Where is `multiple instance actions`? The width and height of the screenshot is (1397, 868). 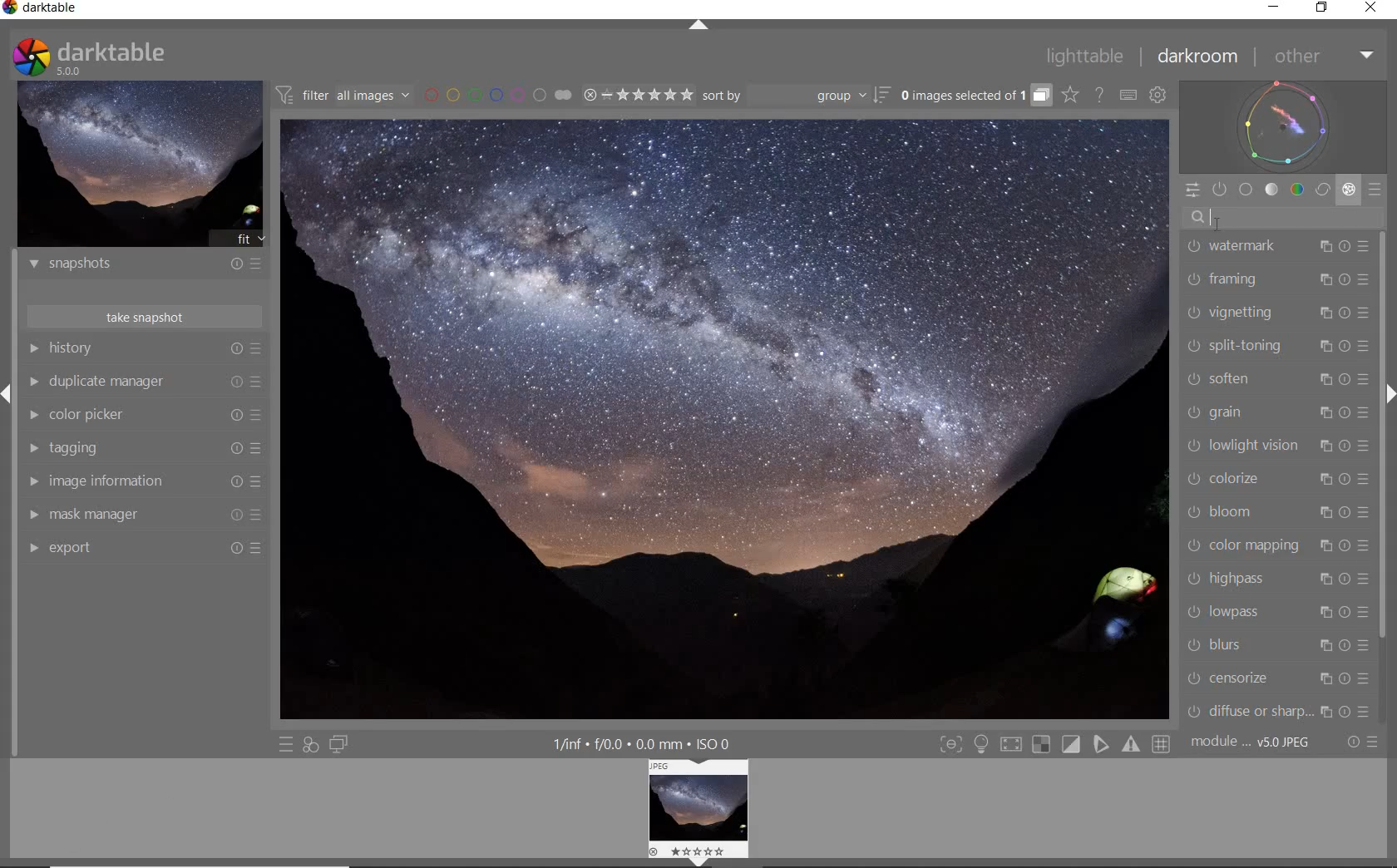
multiple instance actions is located at coordinates (1324, 444).